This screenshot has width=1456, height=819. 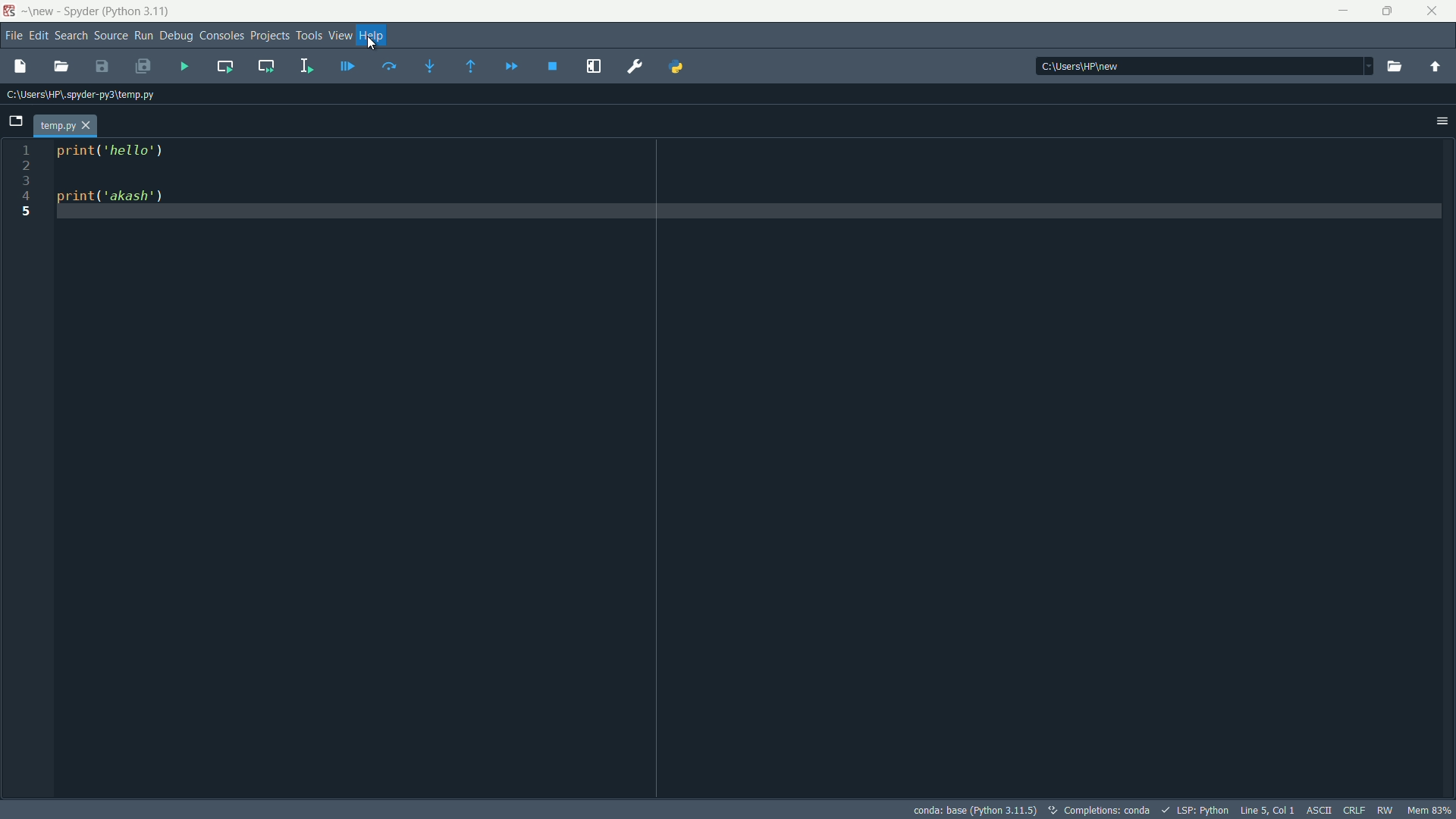 I want to click on run current line, so click(x=388, y=66).